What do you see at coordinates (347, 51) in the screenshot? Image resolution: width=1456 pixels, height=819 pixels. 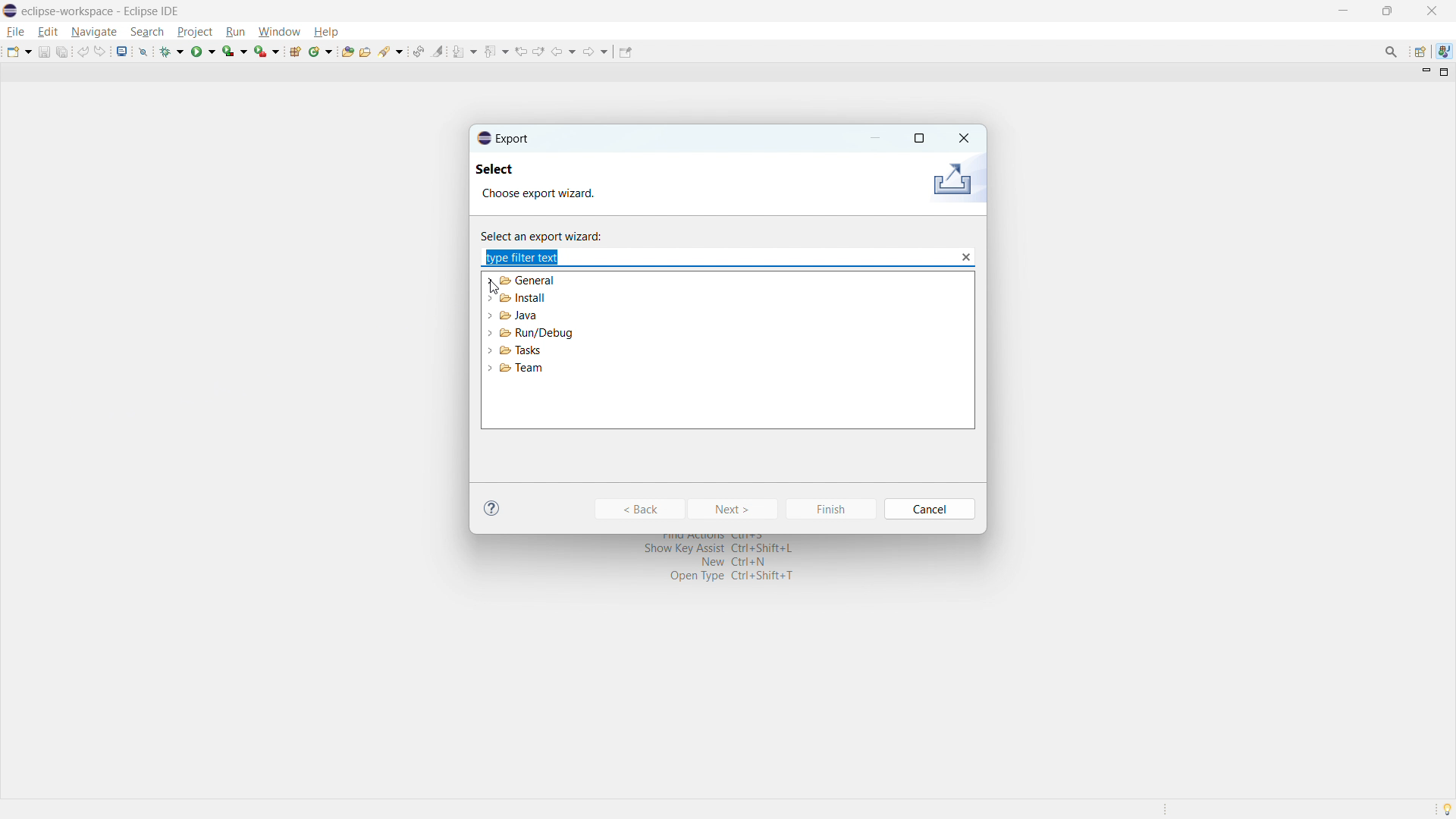 I see `open type` at bounding box center [347, 51].